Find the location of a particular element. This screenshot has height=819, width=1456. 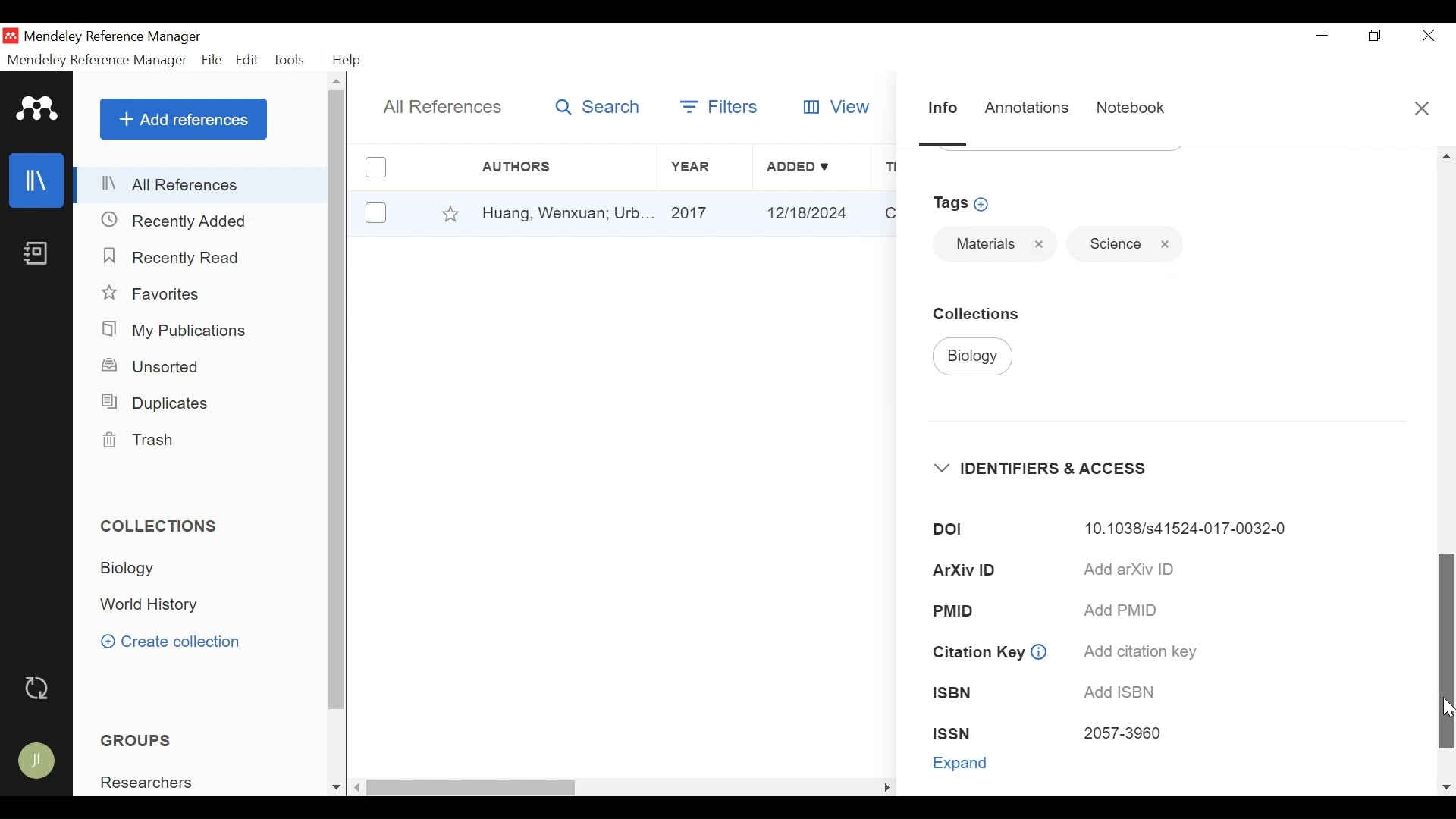

Notebook is located at coordinates (1130, 108).